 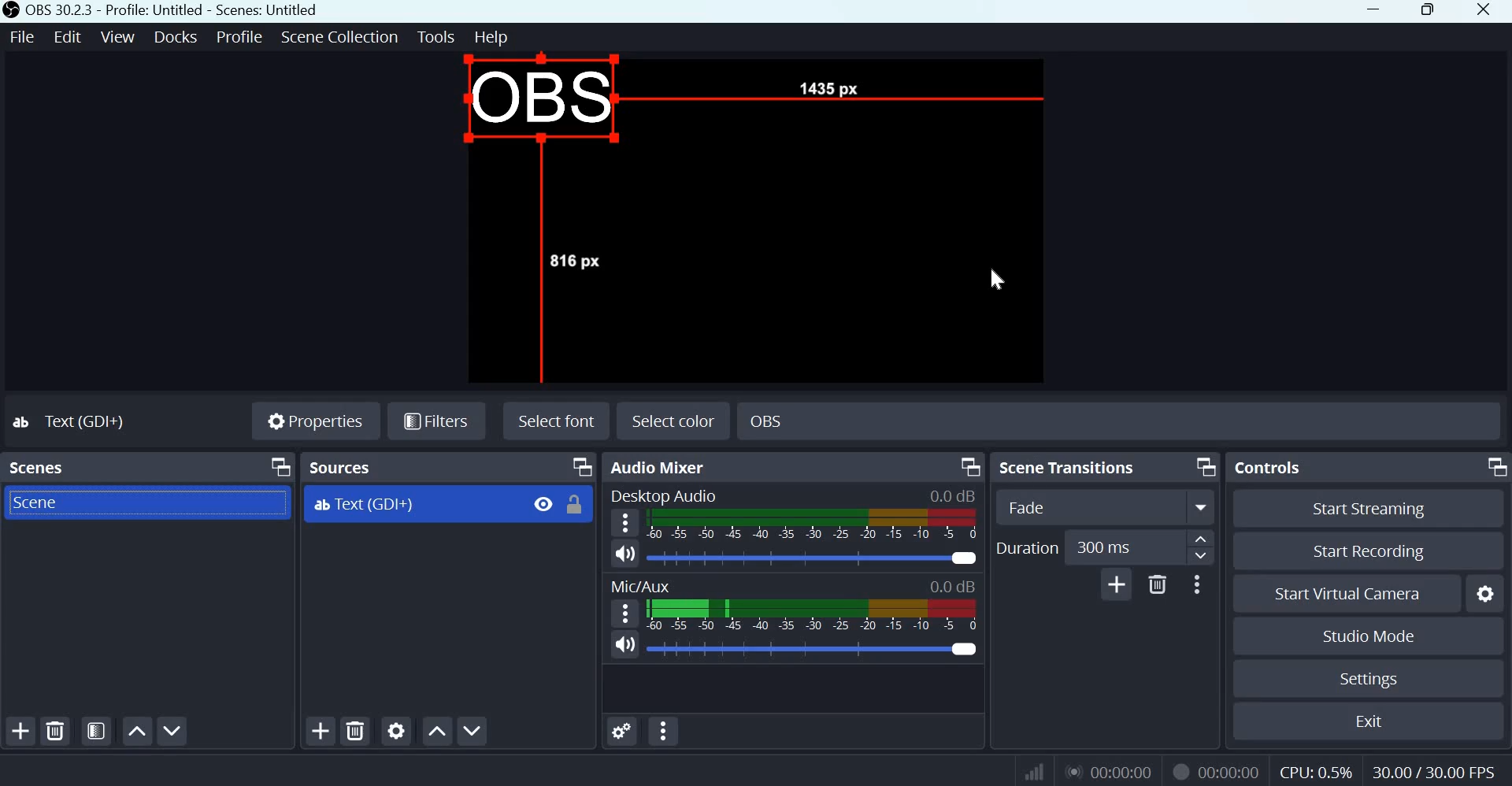 What do you see at coordinates (825, 87) in the screenshot?
I see `1435 px` at bounding box center [825, 87].